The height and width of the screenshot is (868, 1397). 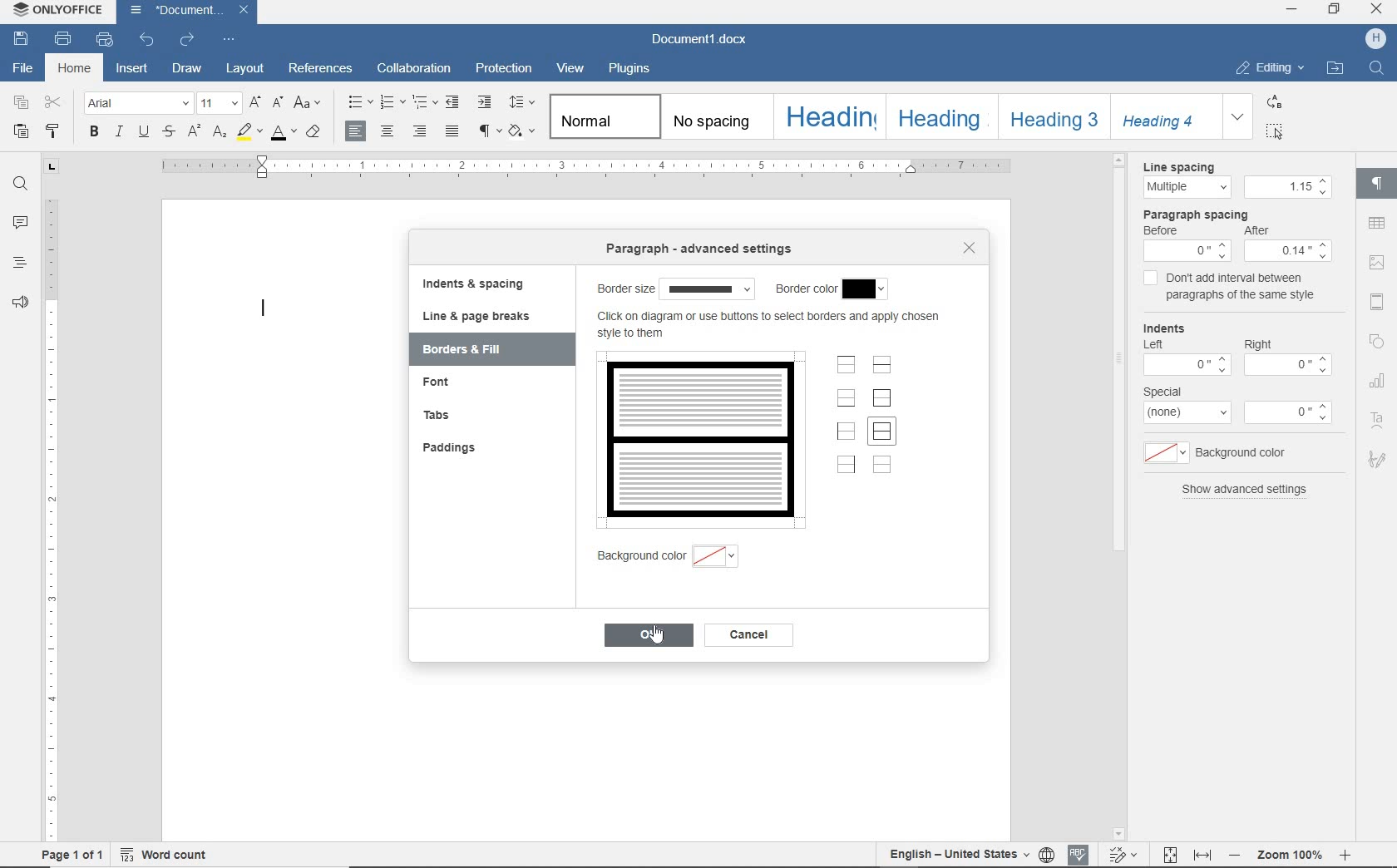 What do you see at coordinates (315, 133) in the screenshot?
I see `clear style` at bounding box center [315, 133].